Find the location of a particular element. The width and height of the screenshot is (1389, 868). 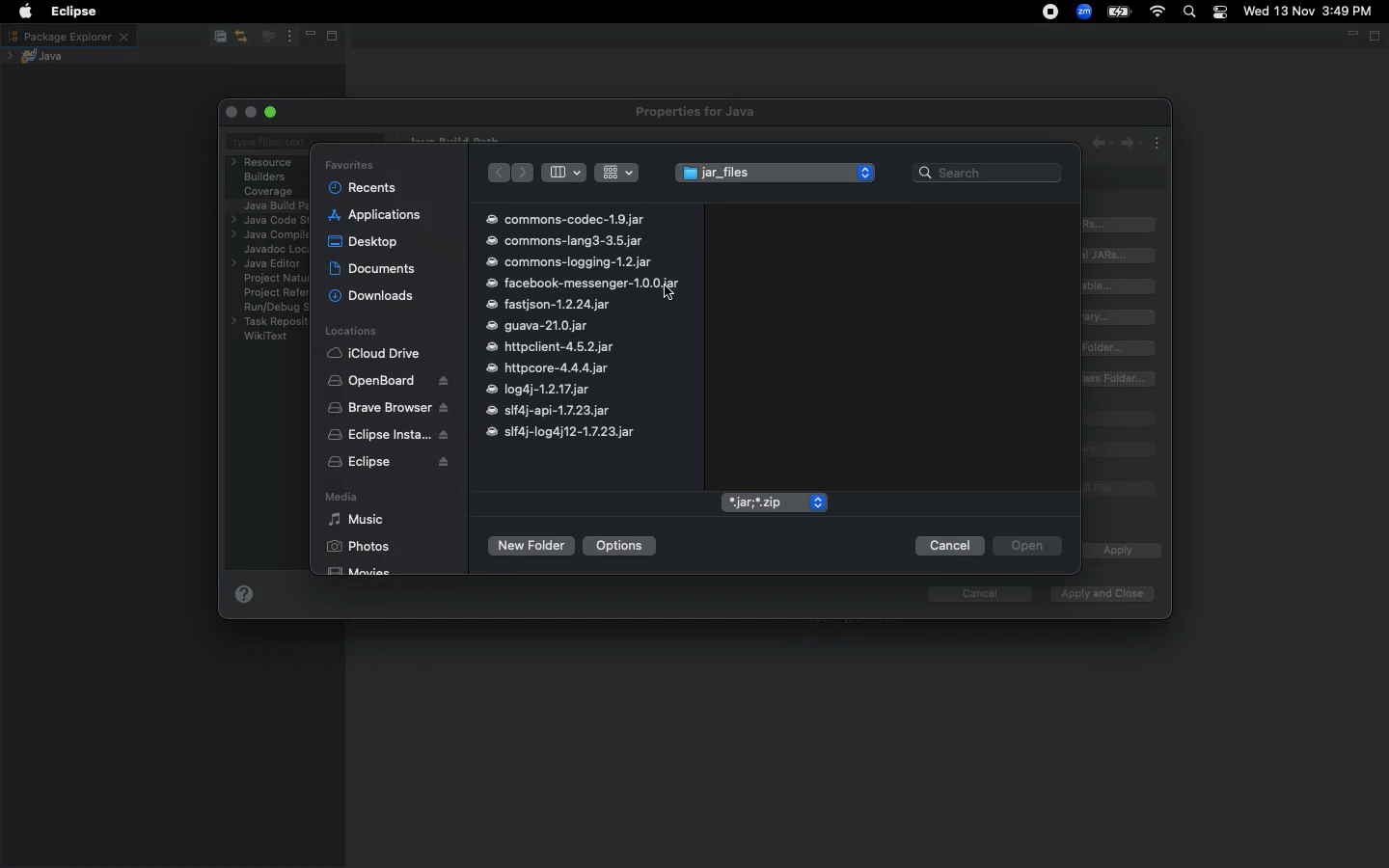

Java code style is located at coordinates (267, 221).